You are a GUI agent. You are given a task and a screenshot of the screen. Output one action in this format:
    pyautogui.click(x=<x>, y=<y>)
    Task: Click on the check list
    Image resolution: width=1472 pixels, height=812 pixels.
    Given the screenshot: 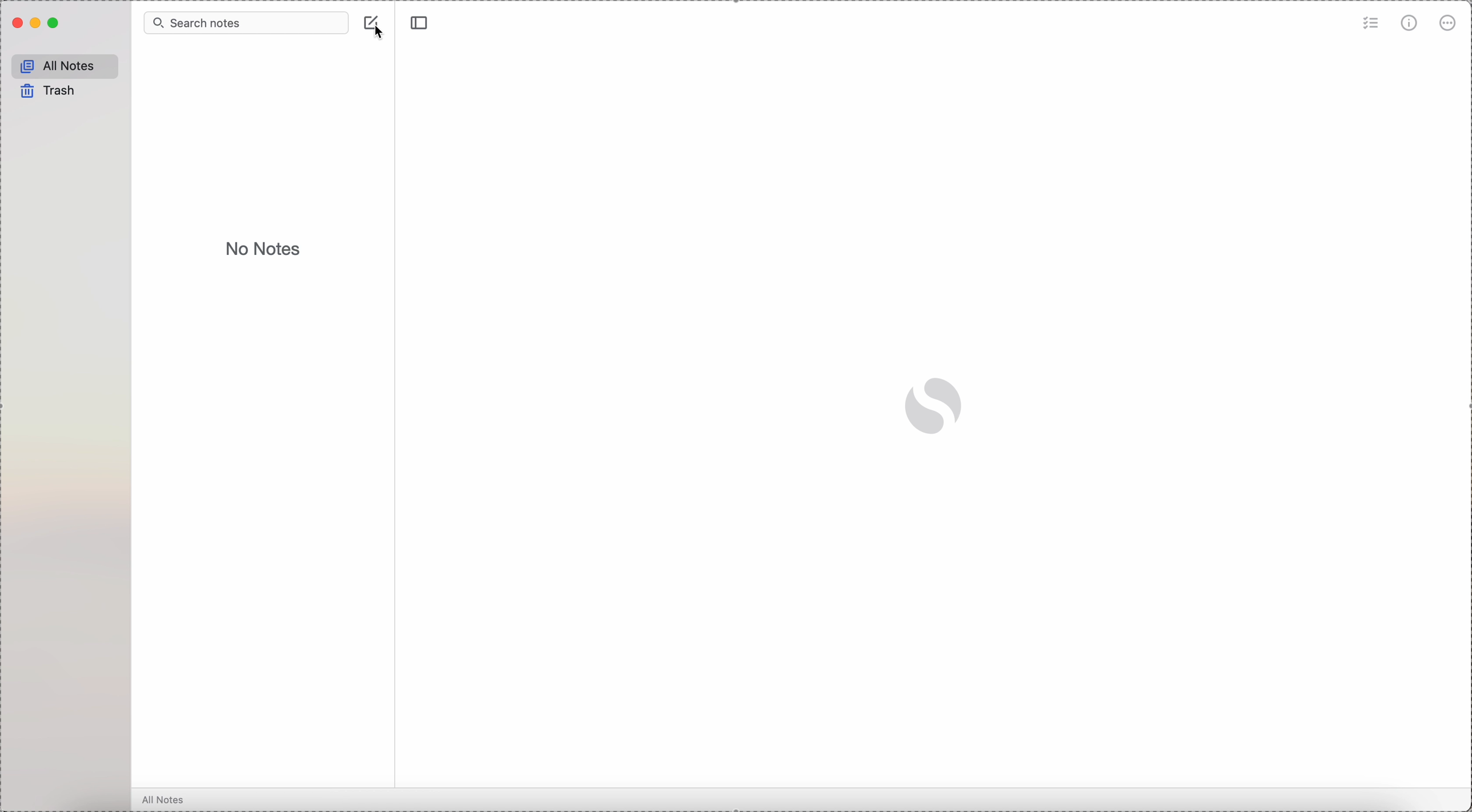 What is the action you would take?
    pyautogui.click(x=1370, y=24)
    